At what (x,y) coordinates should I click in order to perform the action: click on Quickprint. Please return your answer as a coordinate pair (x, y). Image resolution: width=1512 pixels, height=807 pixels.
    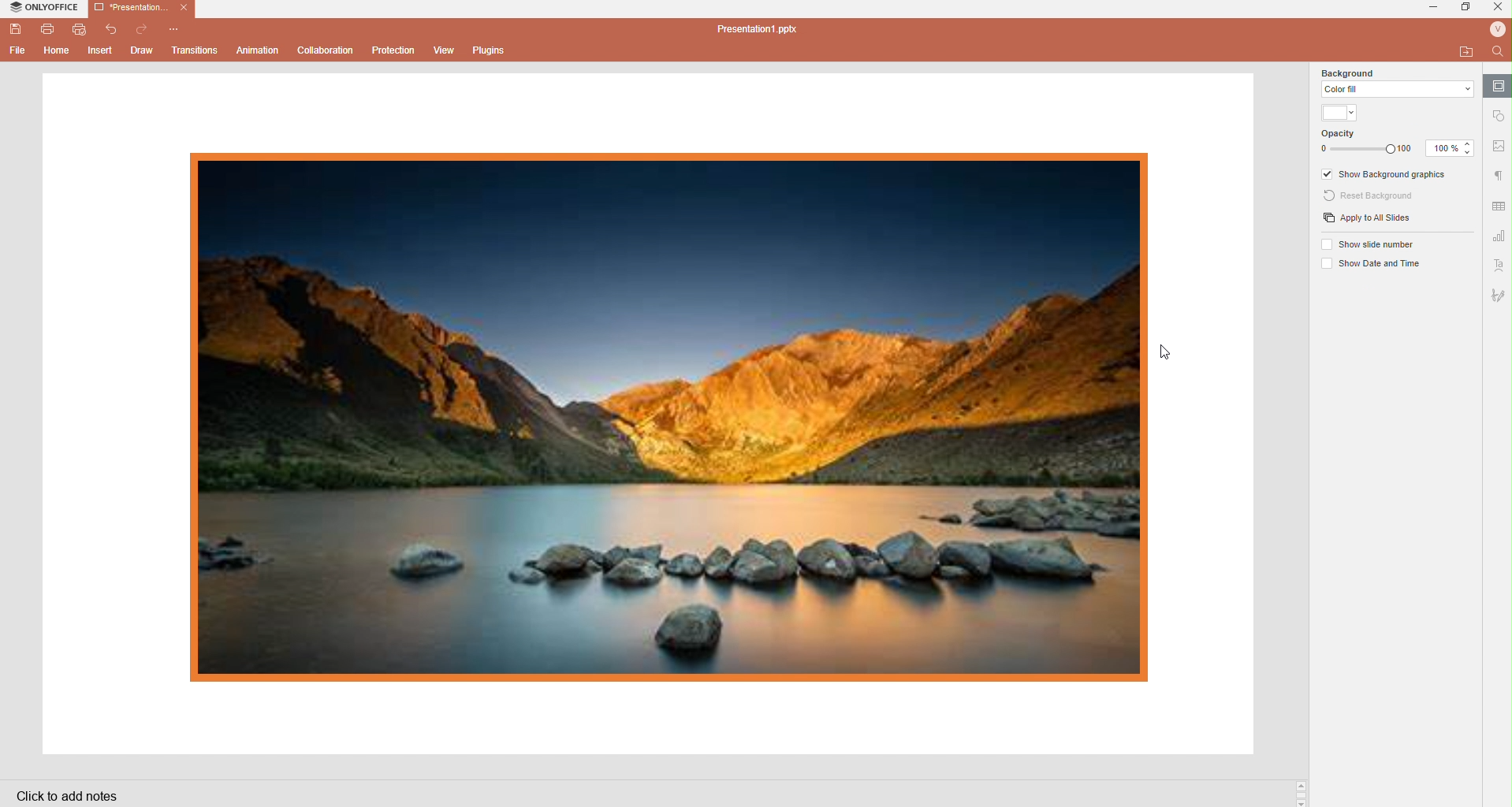
    Looking at the image, I should click on (80, 31).